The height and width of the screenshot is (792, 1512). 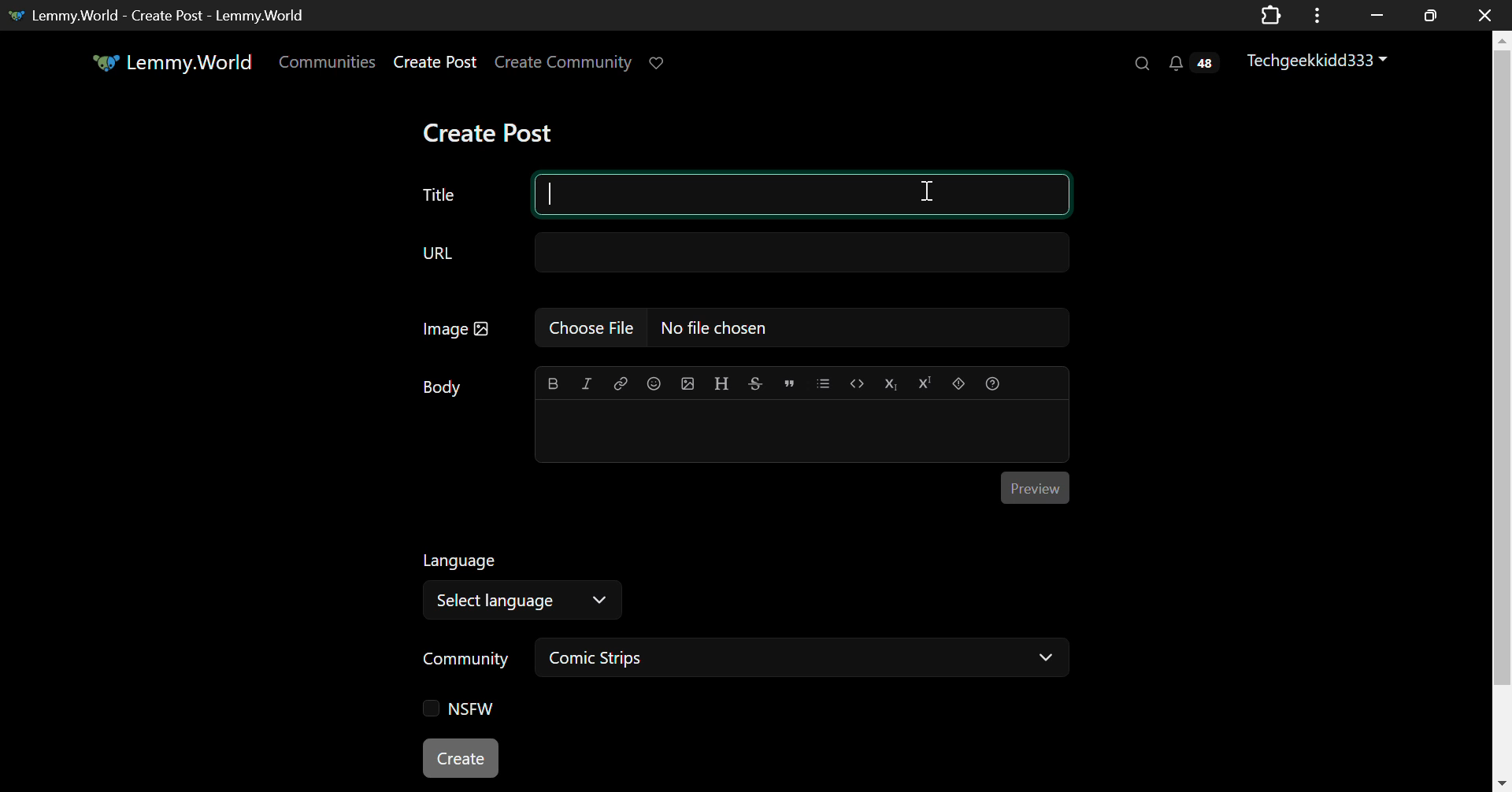 What do you see at coordinates (326, 63) in the screenshot?
I see `Communities` at bounding box center [326, 63].